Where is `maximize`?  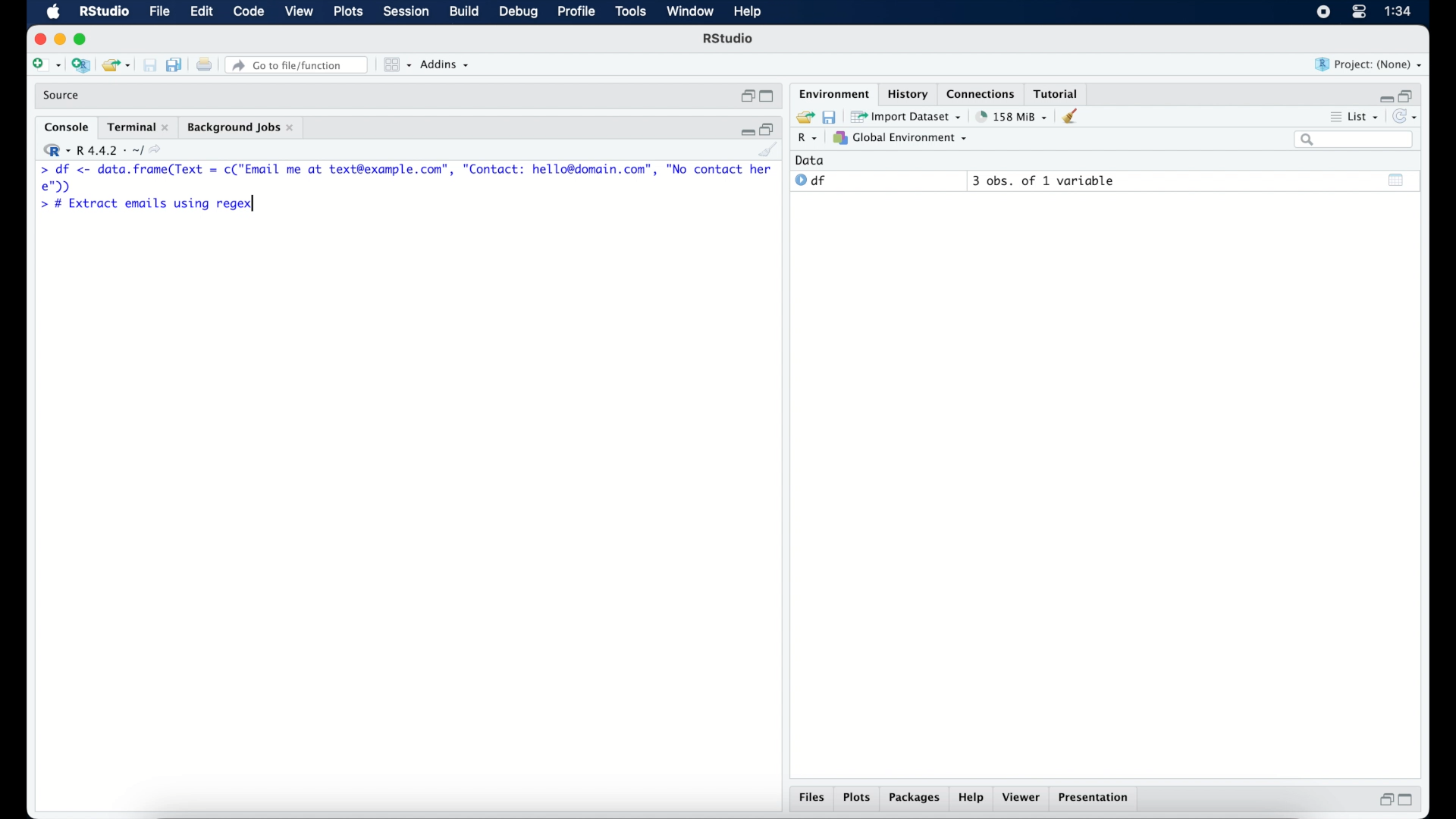
maximize is located at coordinates (82, 39).